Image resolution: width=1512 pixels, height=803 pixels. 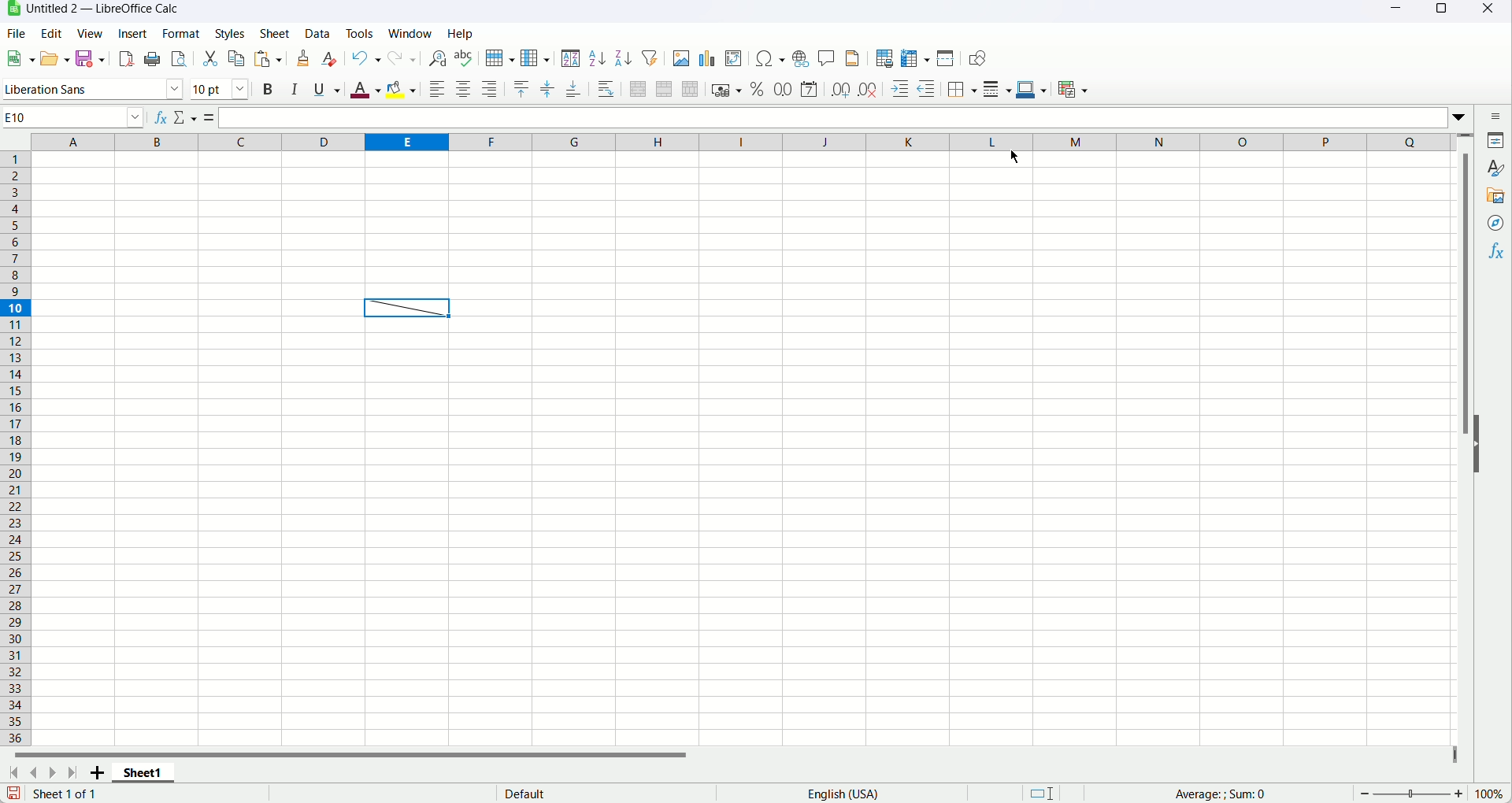 I want to click on Selection mode, so click(x=1043, y=793).